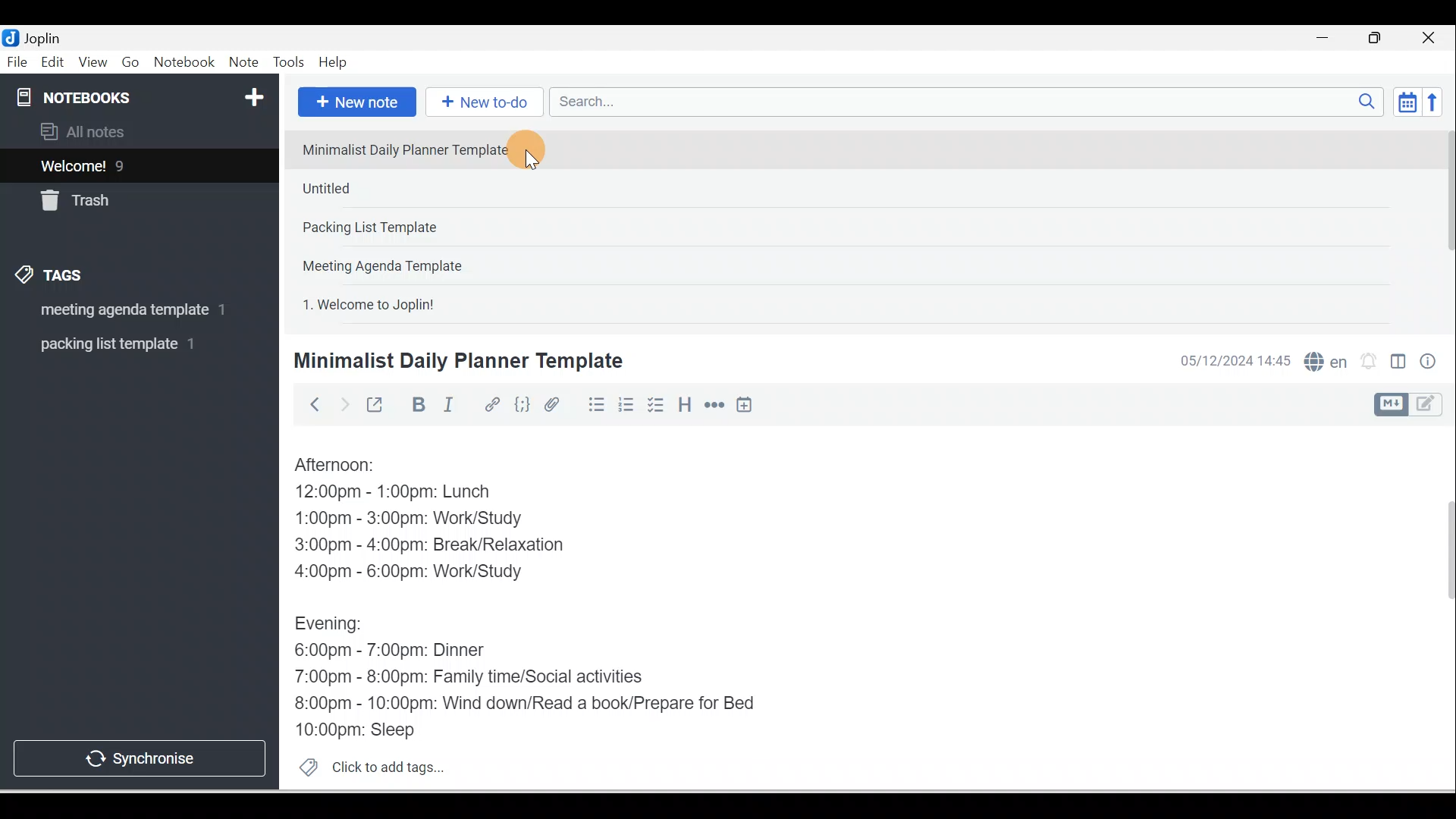 The image size is (1456, 819). I want to click on Trash, so click(111, 196).